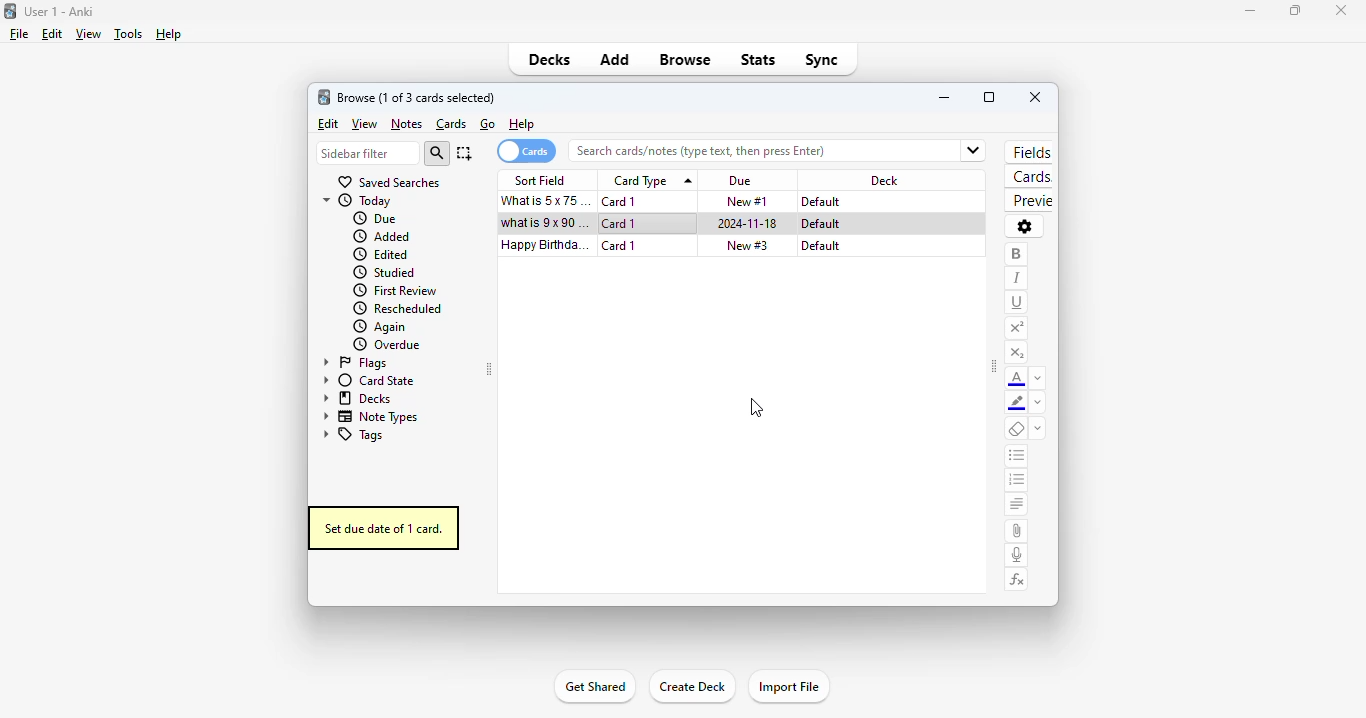  I want to click on underline, so click(1018, 304).